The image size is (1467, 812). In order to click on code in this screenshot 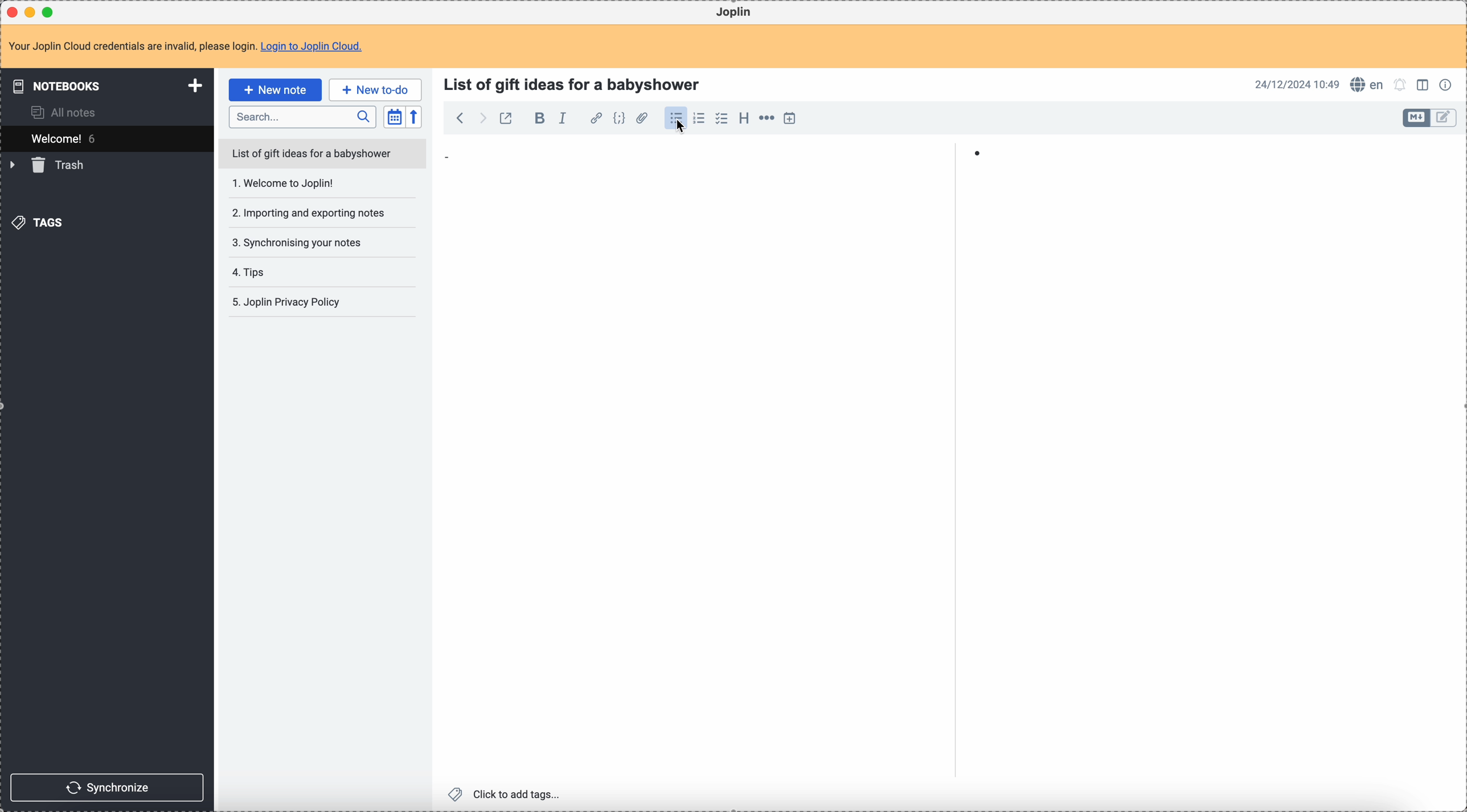, I will do `click(621, 119)`.